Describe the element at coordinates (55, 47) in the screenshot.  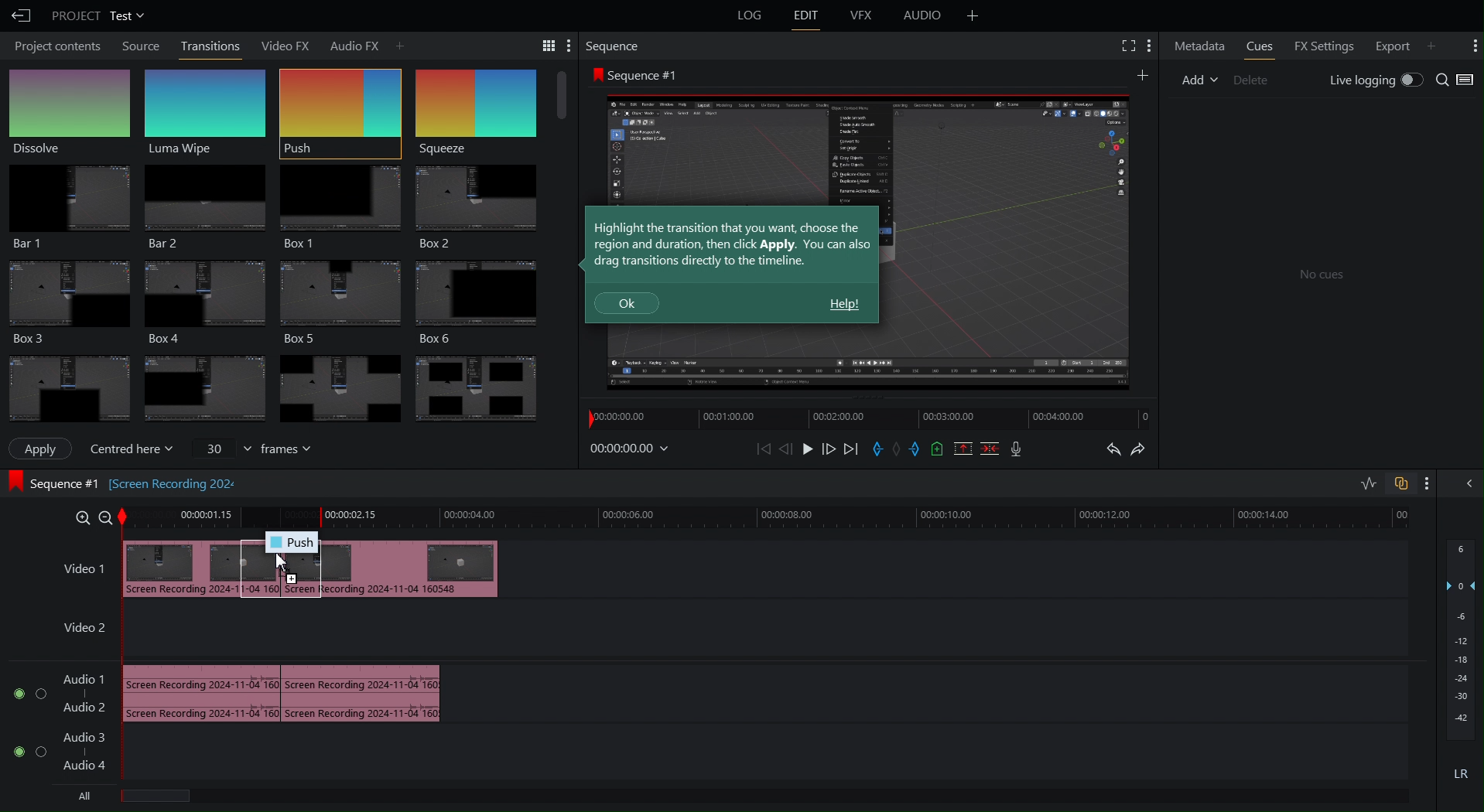
I see `Project Contents` at that location.